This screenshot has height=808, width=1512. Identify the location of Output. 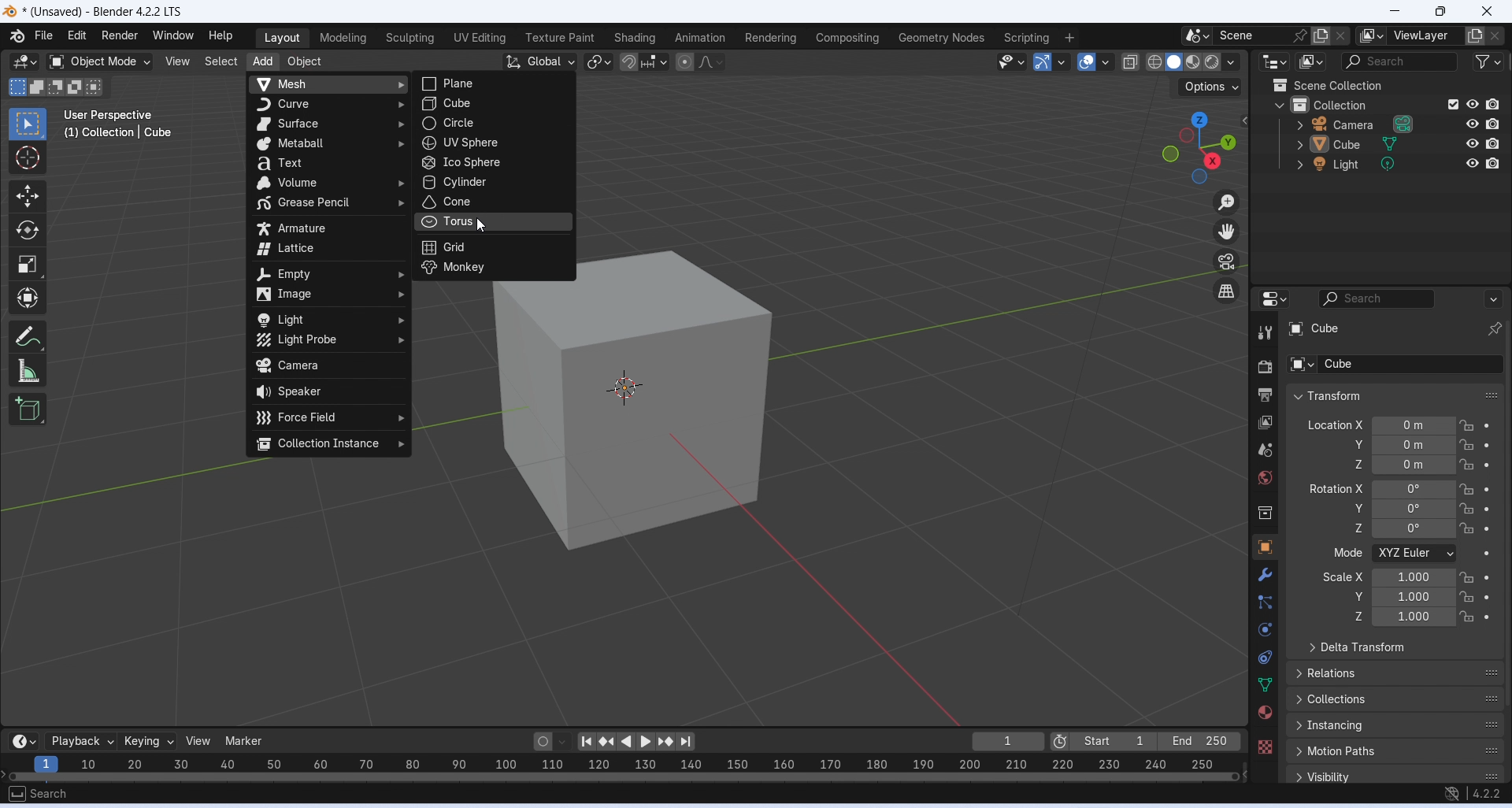
(1263, 395).